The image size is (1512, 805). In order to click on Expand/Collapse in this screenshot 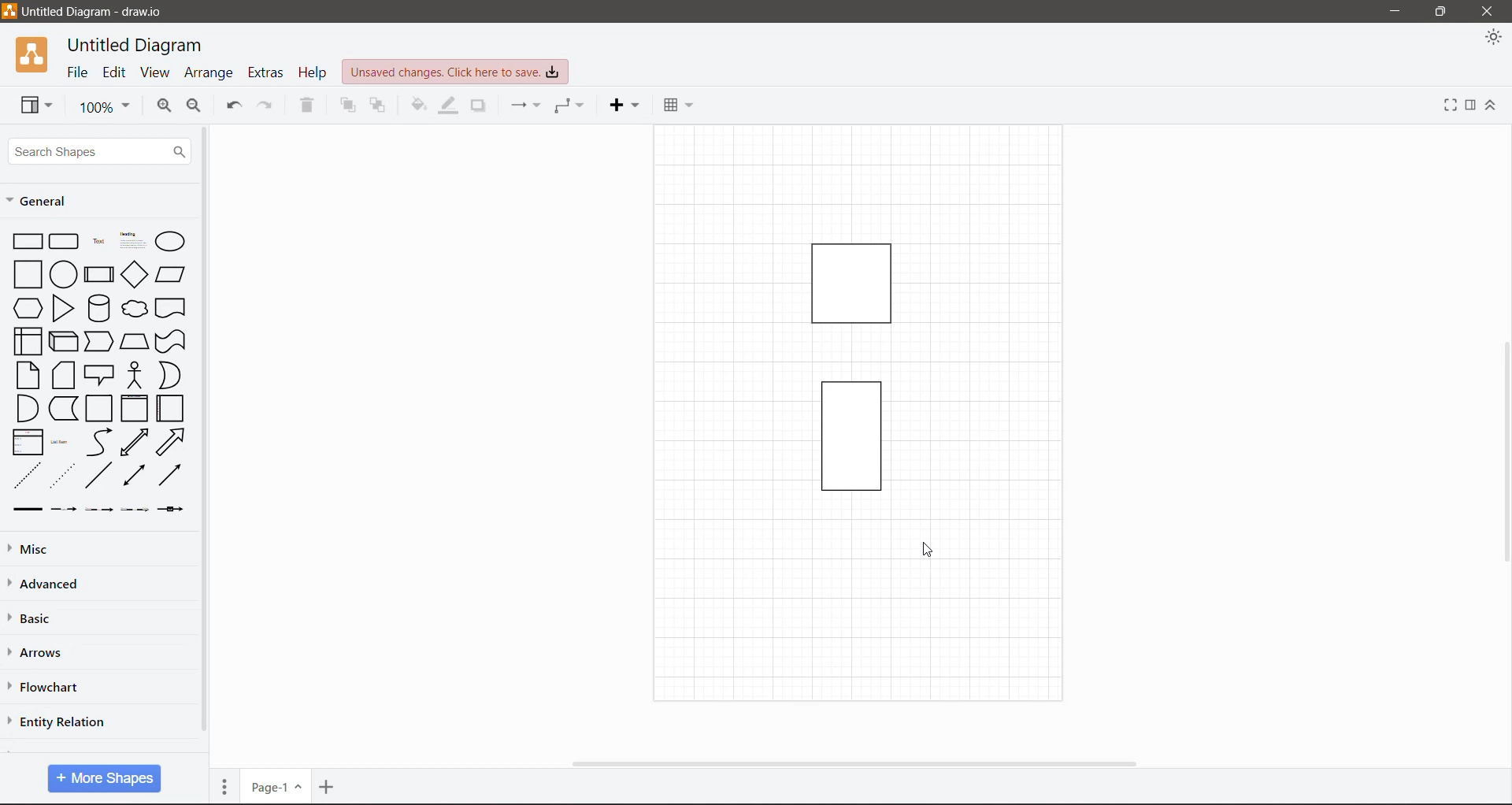, I will do `click(1492, 106)`.